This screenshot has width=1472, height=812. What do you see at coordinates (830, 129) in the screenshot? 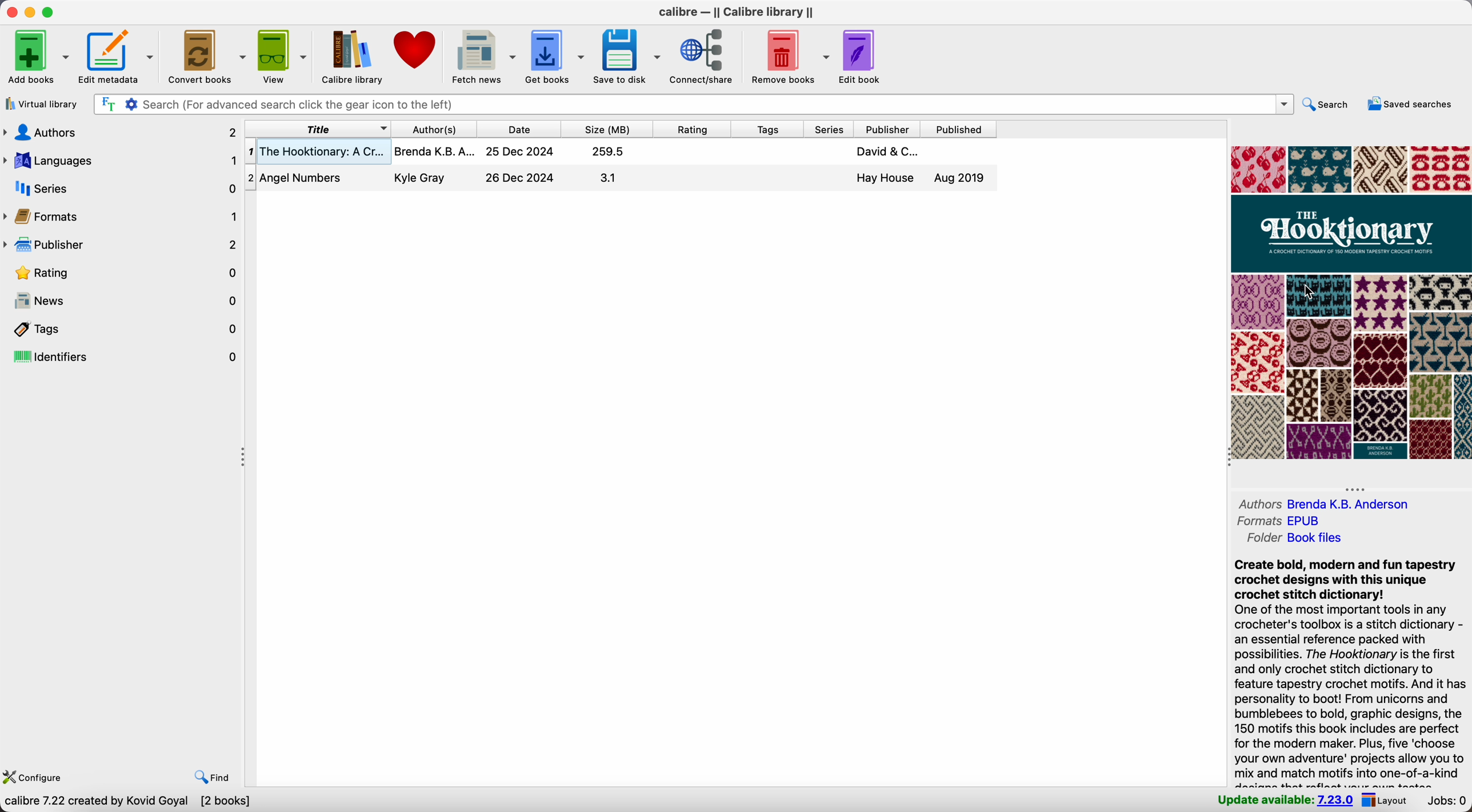
I see `series` at bounding box center [830, 129].